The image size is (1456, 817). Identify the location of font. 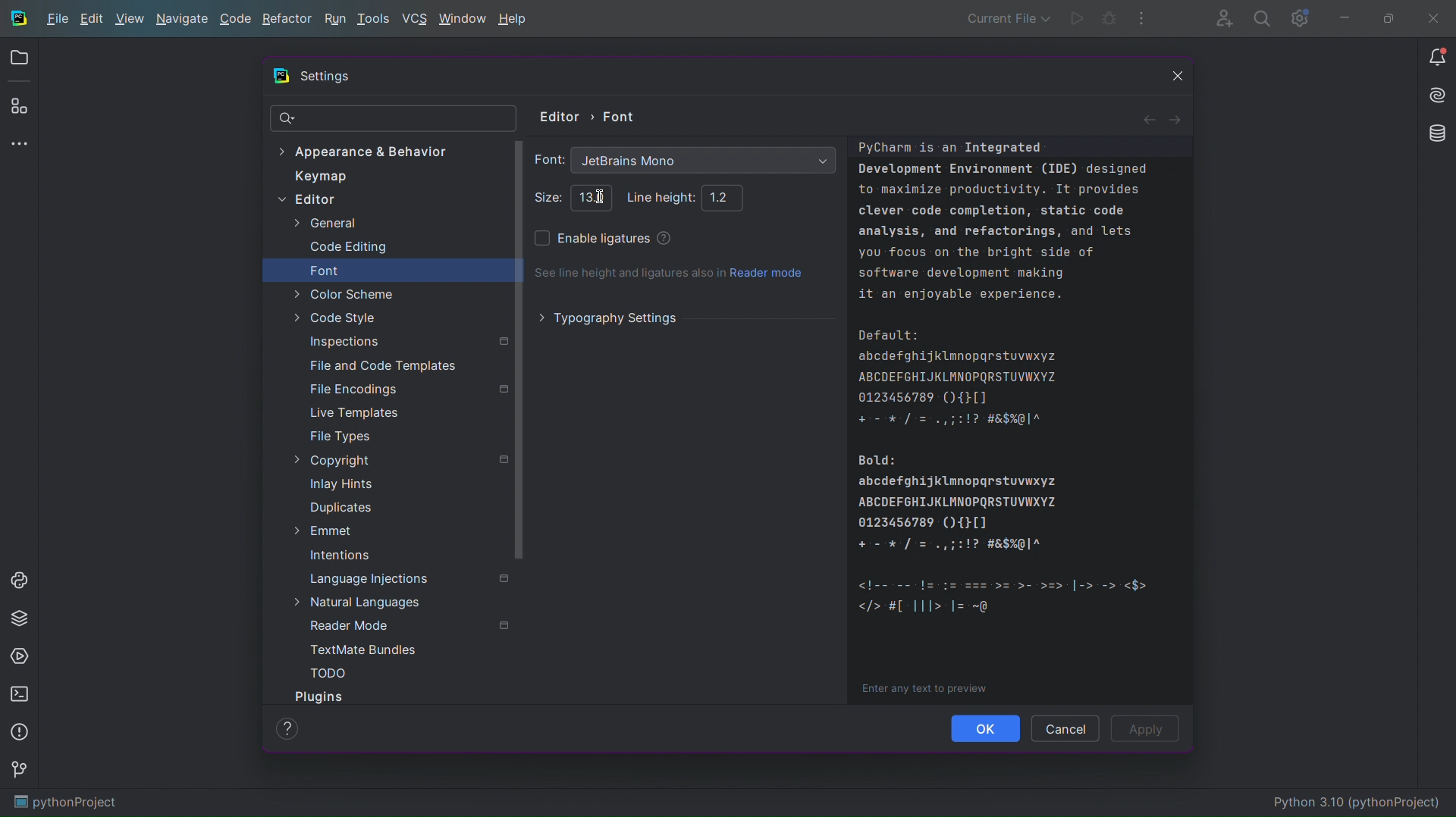
(548, 159).